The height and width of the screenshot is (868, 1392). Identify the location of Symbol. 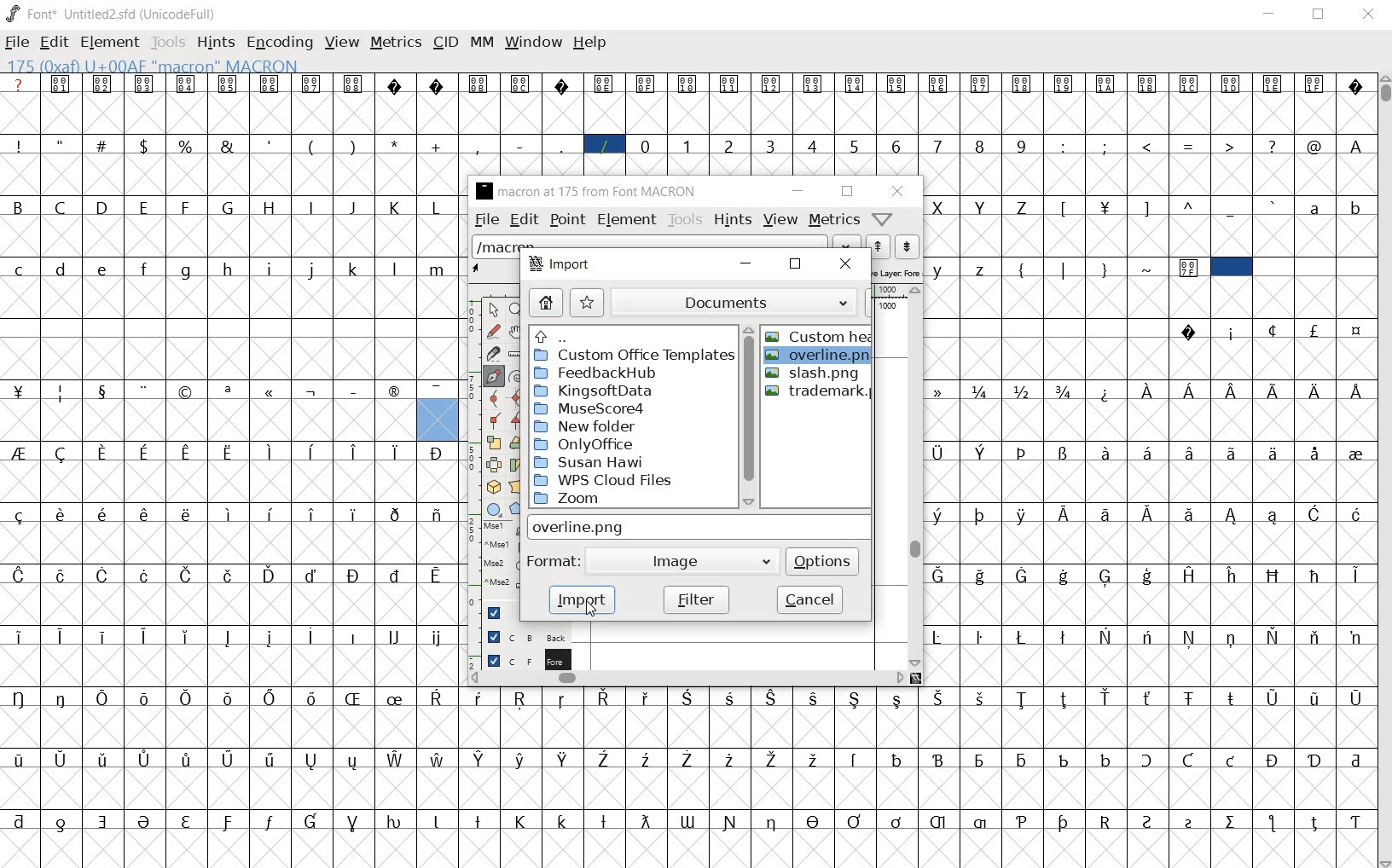
(1064, 85).